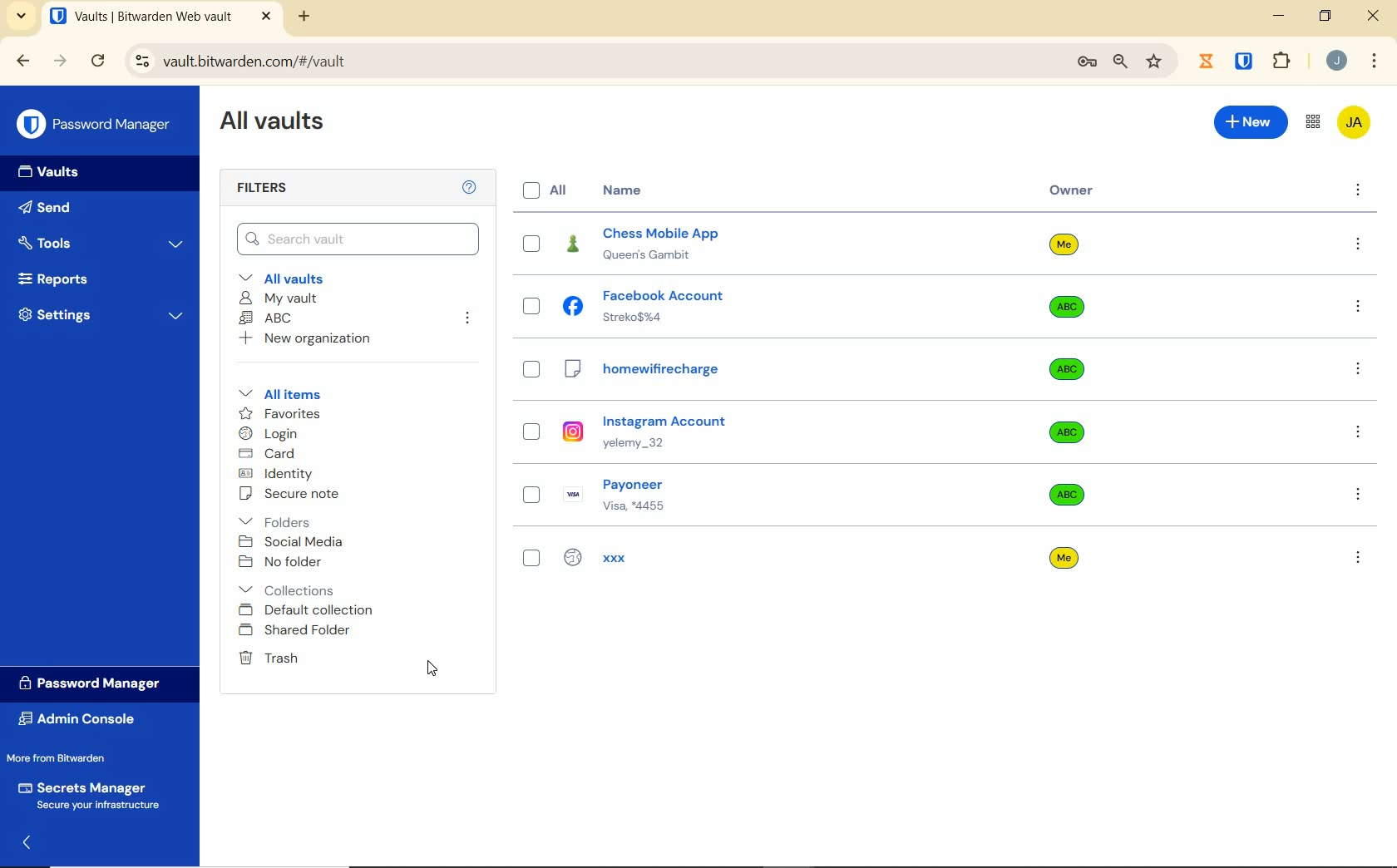  I want to click on manage passwords, so click(1087, 64).